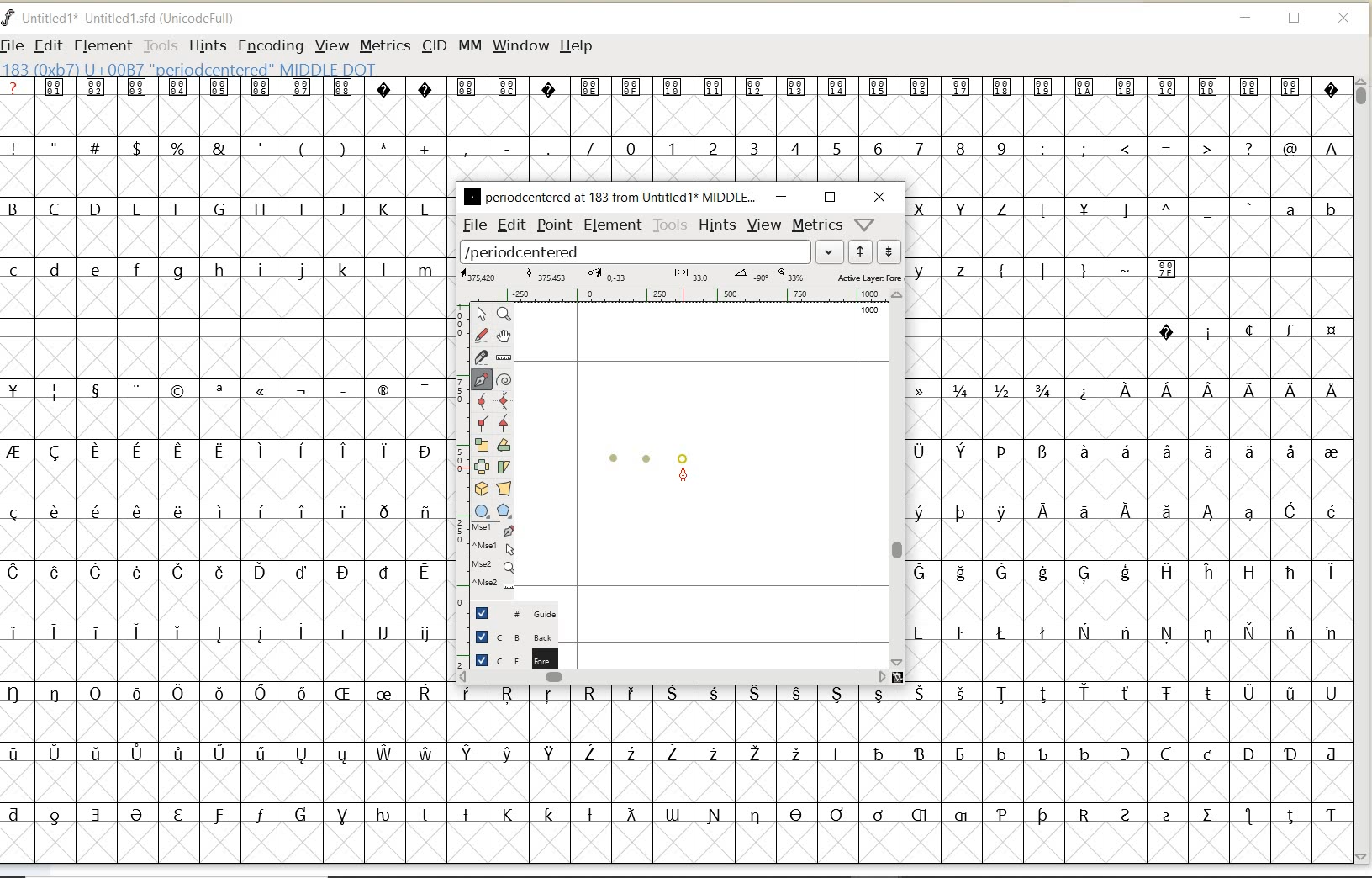  Describe the element at coordinates (685, 456) in the screenshot. I see `dot` at that location.